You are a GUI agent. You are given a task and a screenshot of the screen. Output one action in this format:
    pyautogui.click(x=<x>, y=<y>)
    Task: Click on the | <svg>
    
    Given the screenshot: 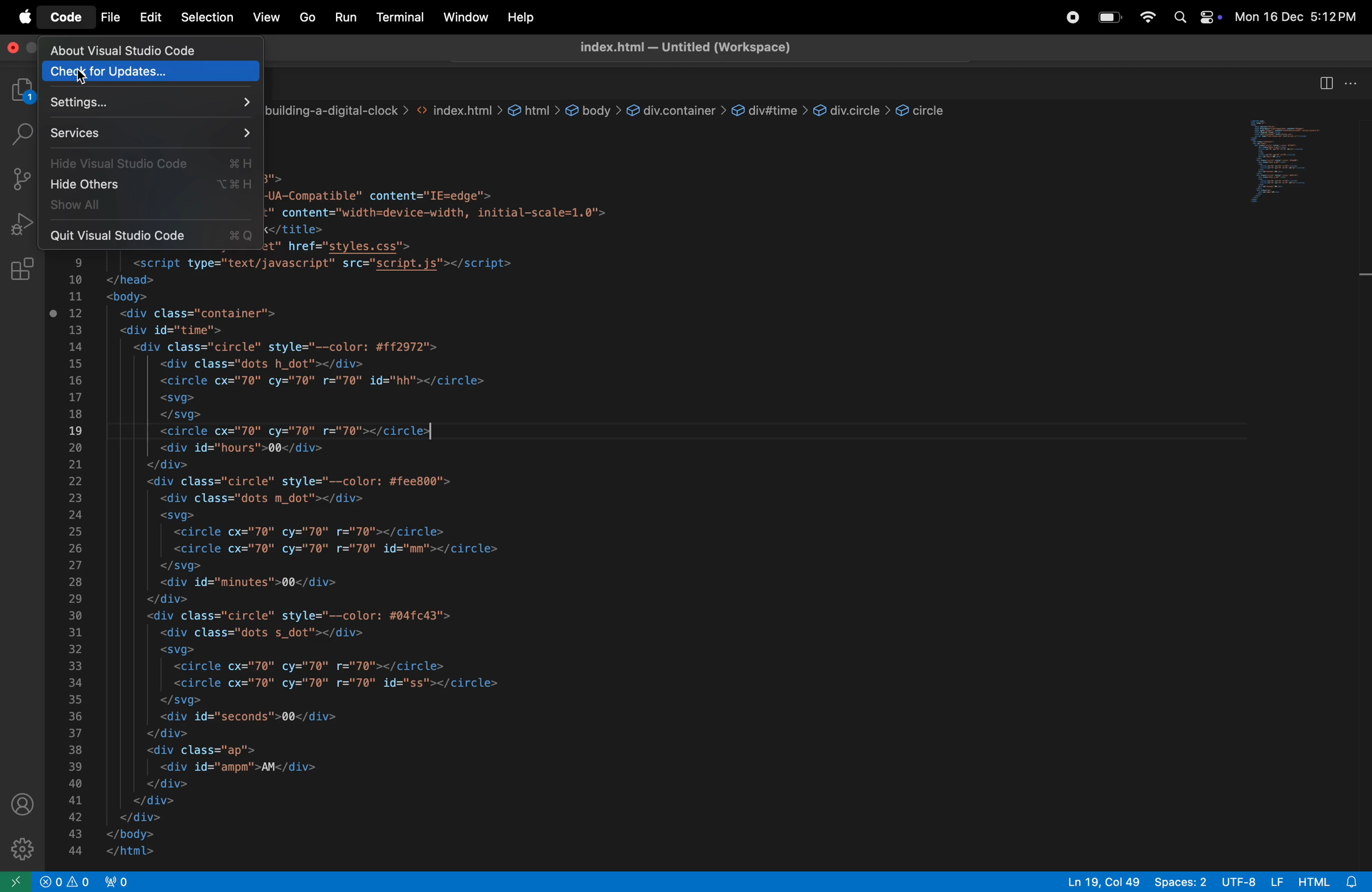 What is the action you would take?
    pyautogui.click(x=178, y=398)
    